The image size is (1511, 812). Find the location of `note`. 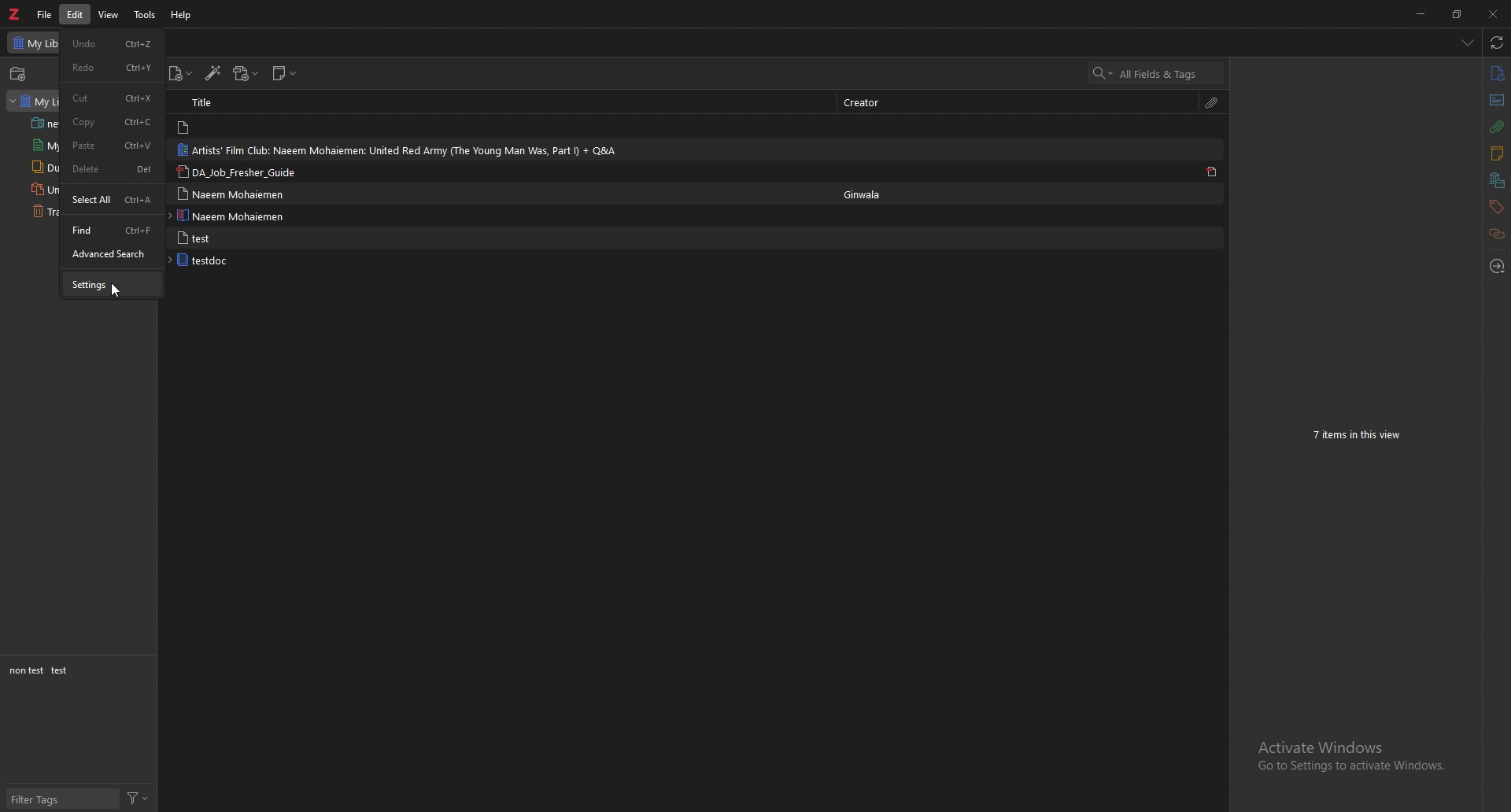

note is located at coordinates (227, 127).